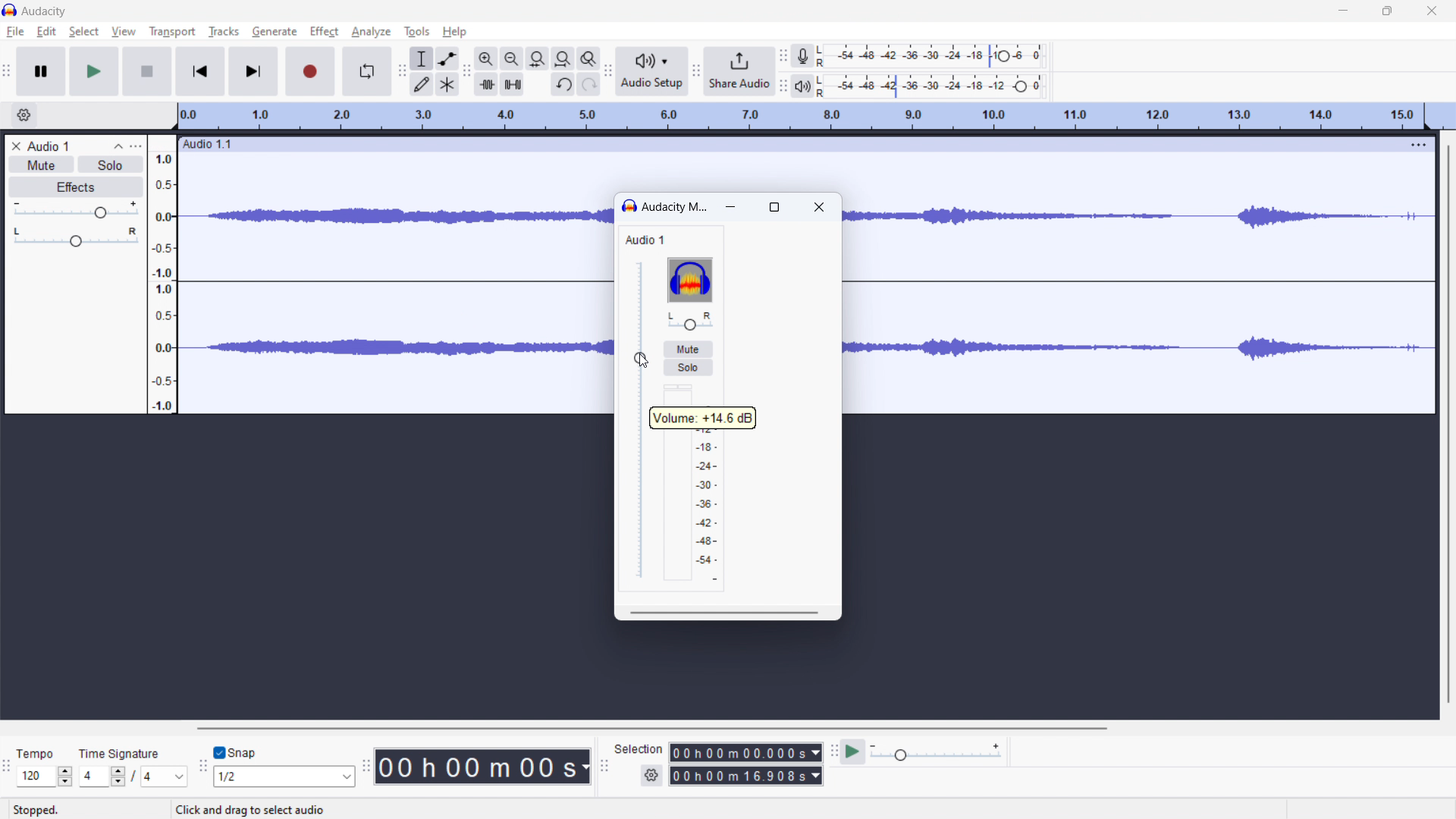  Describe the element at coordinates (695, 71) in the screenshot. I see `share audio toolbar` at that location.